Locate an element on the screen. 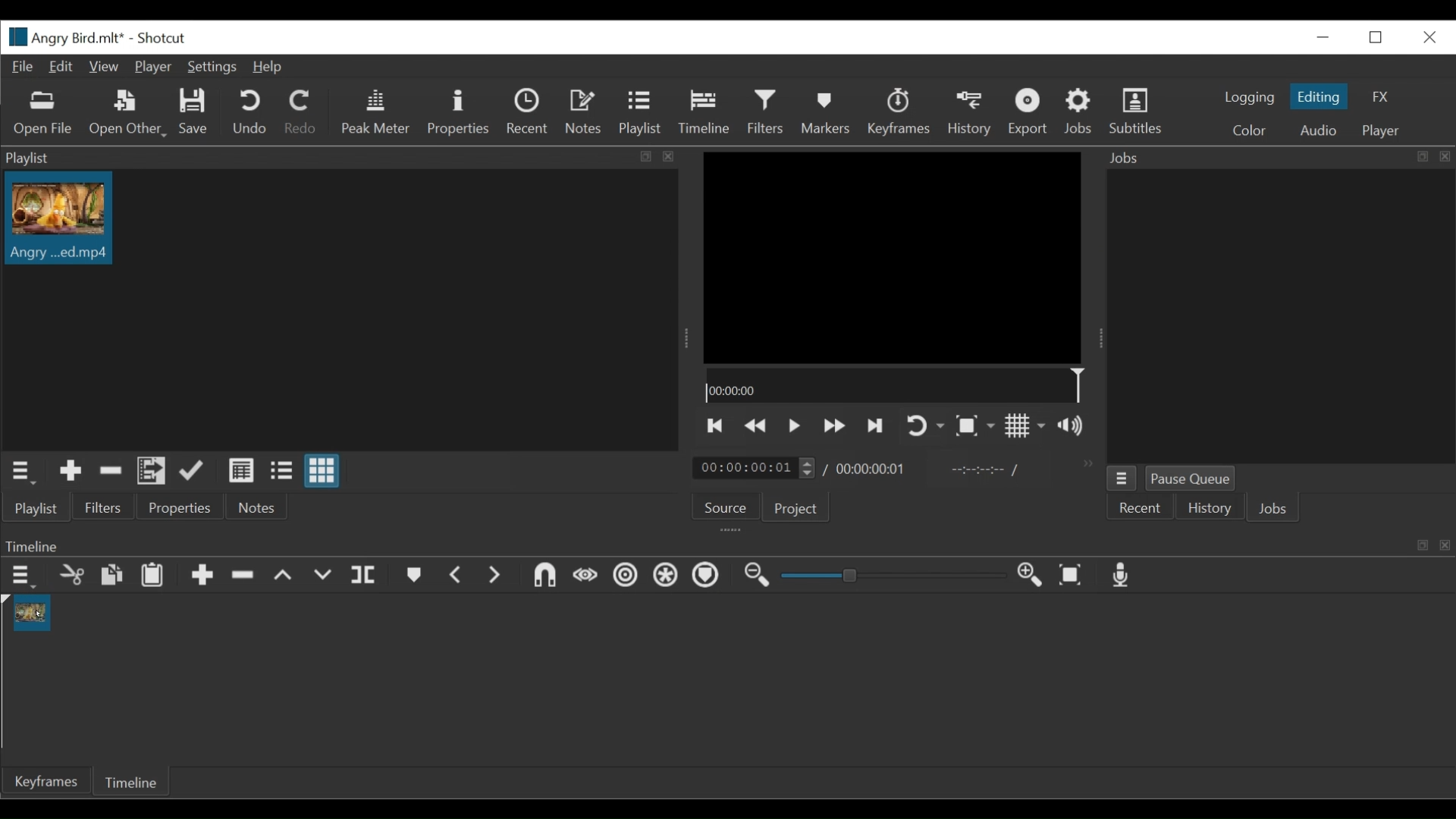  Recent is located at coordinates (529, 113).